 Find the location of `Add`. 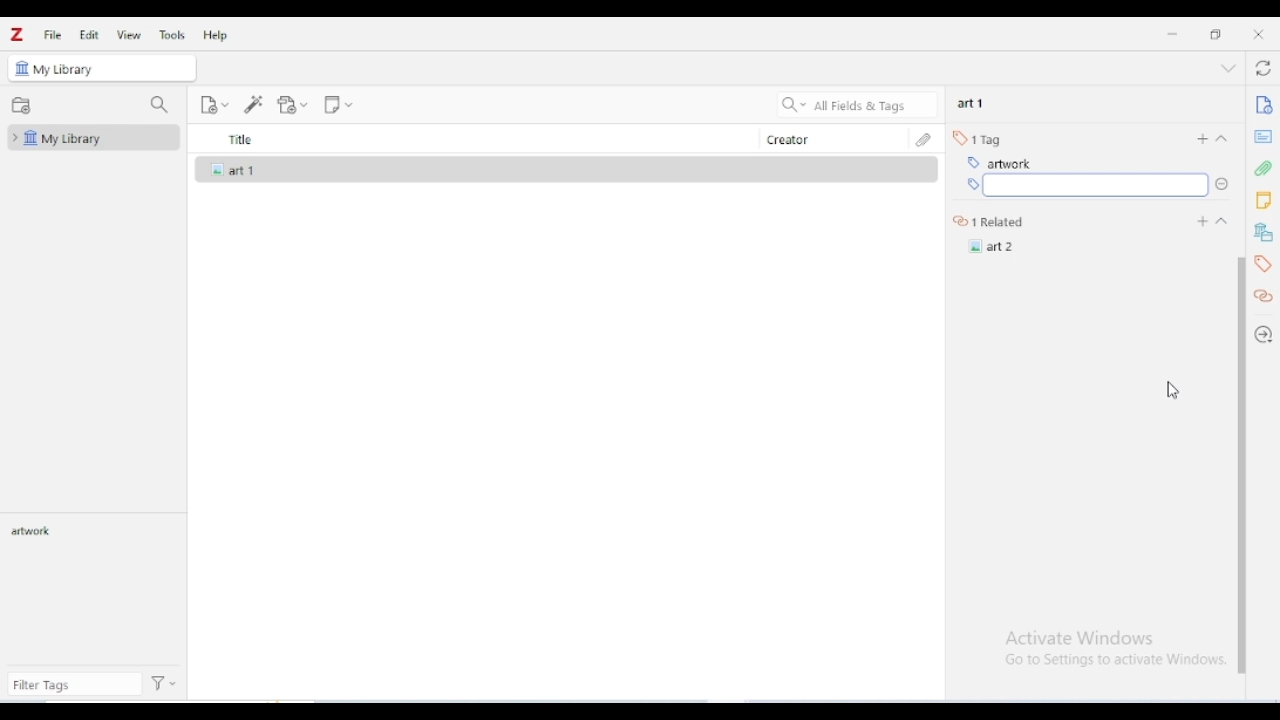

Add is located at coordinates (1203, 222).